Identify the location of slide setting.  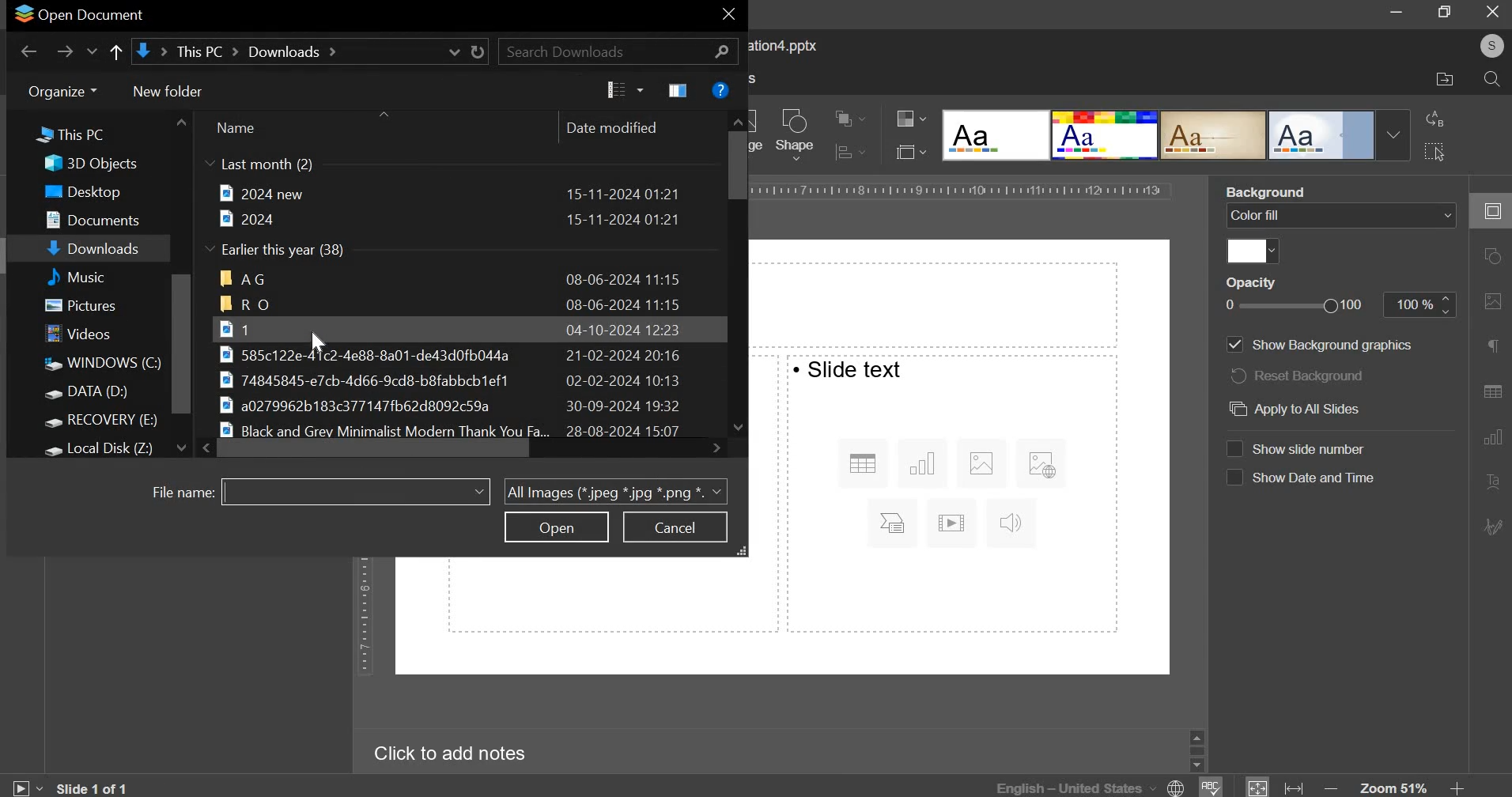
(1489, 211).